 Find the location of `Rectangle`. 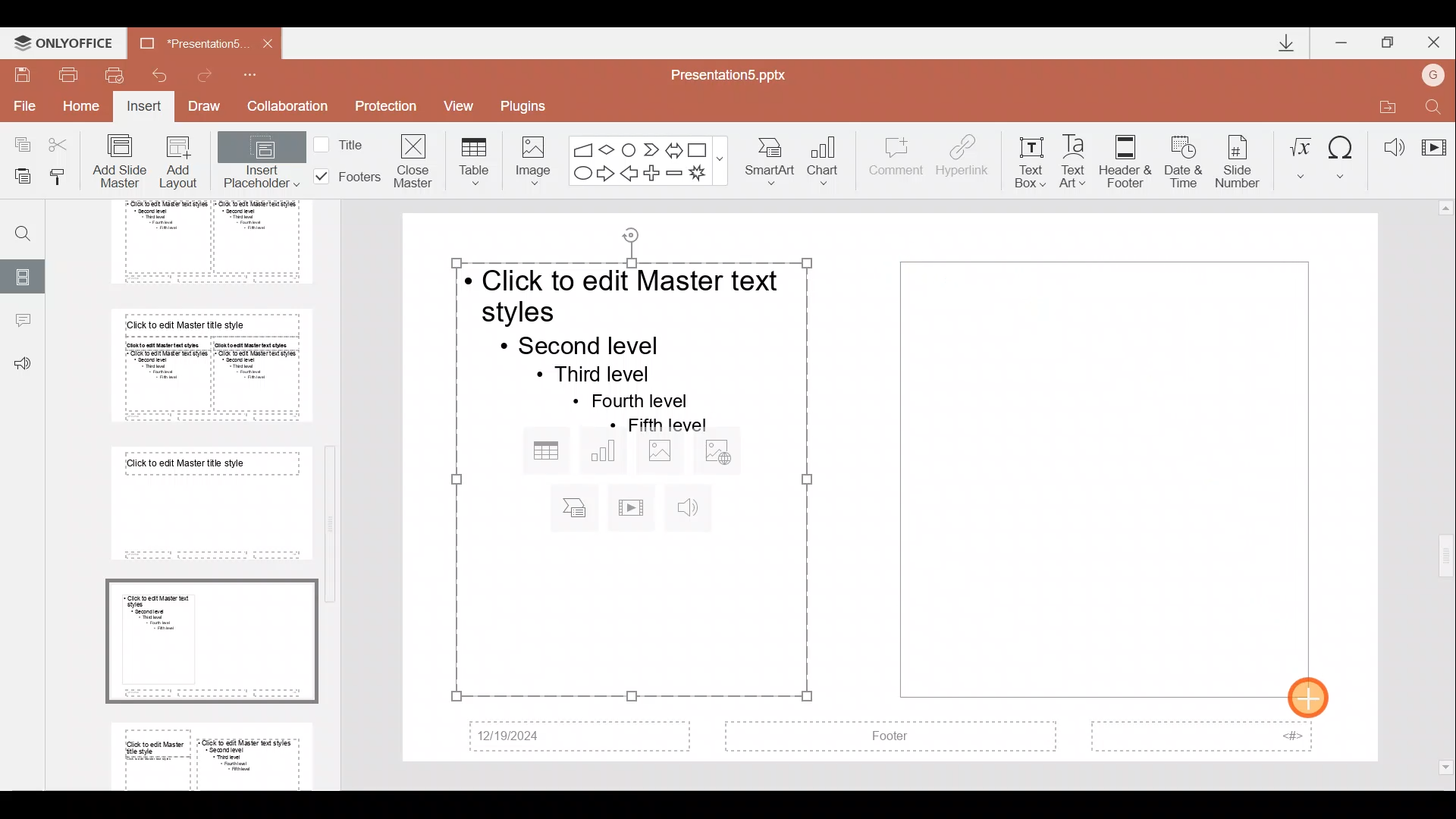

Rectangle is located at coordinates (699, 148).